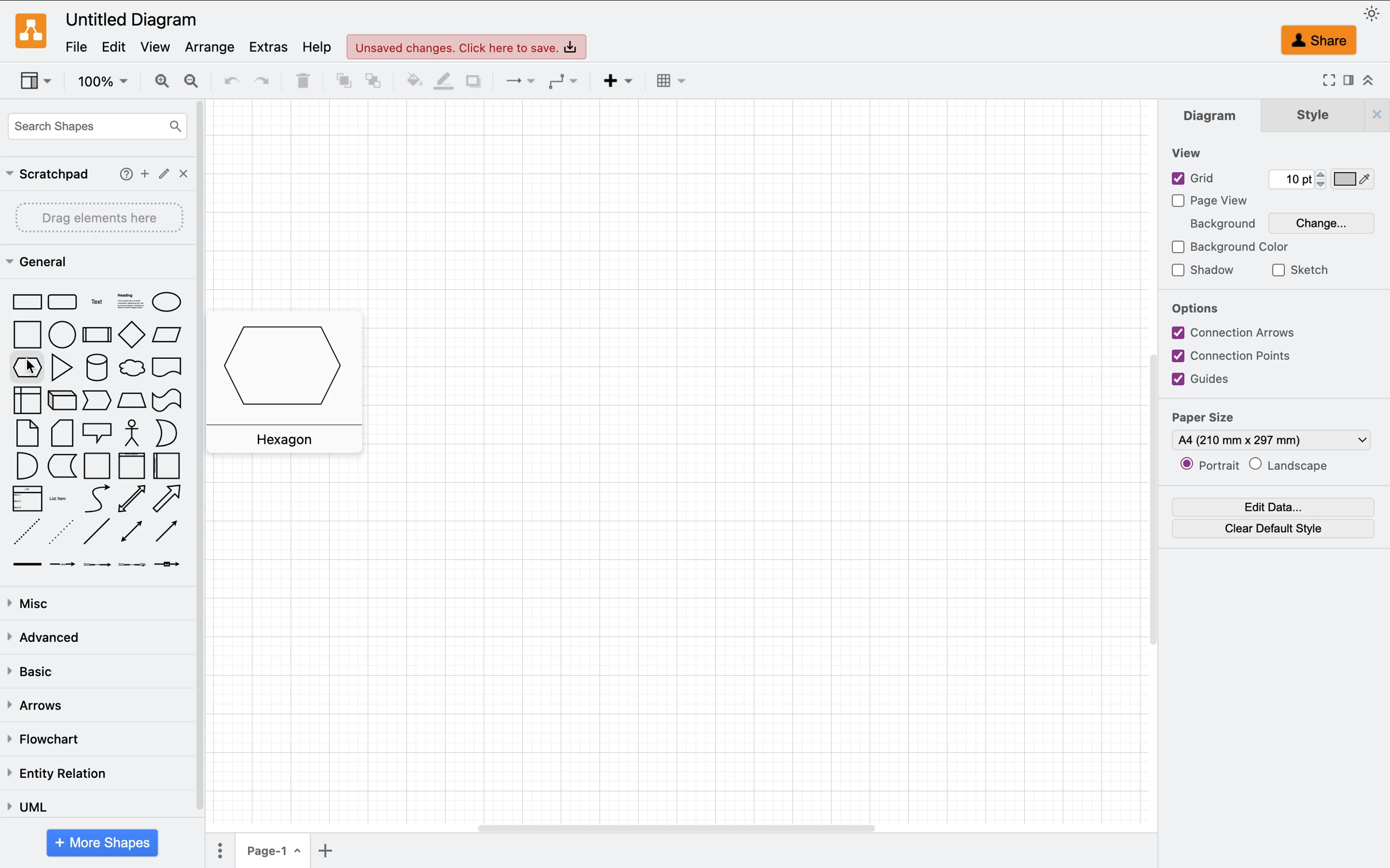 This screenshot has height=868, width=1390. What do you see at coordinates (75, 46) in the screenshot?
I see `file` at bounding box center [75, 46].